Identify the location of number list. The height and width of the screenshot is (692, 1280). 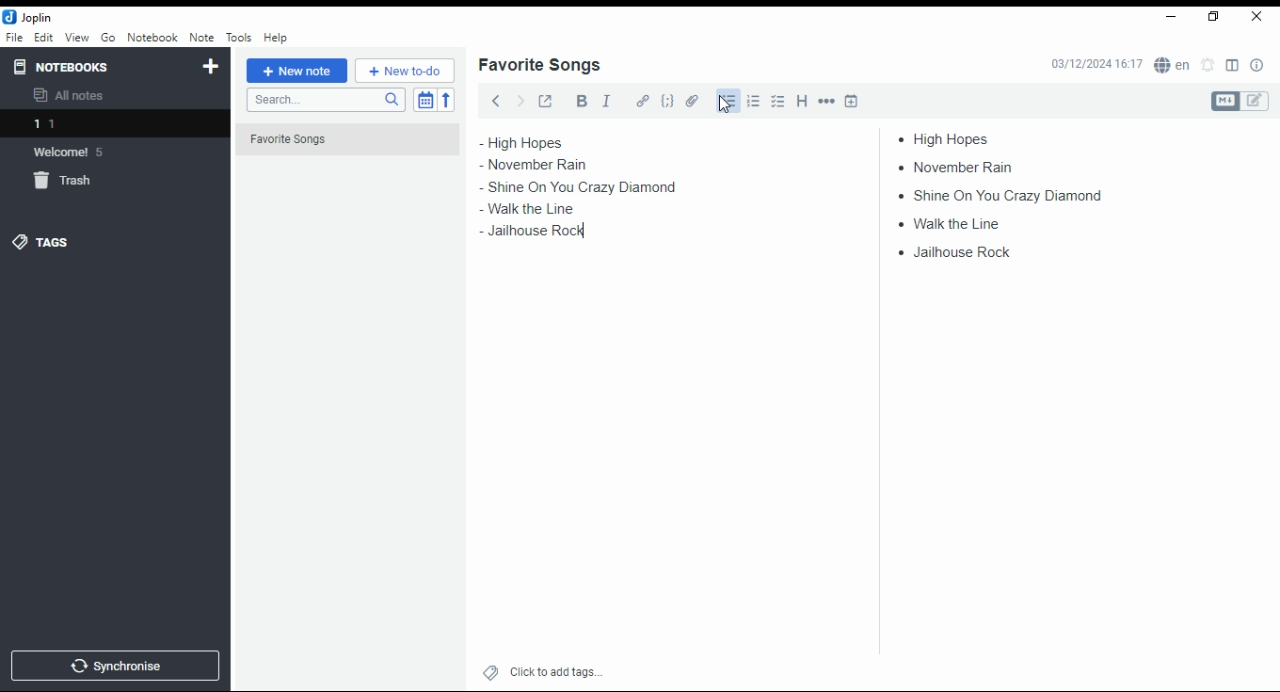
(754, 100).